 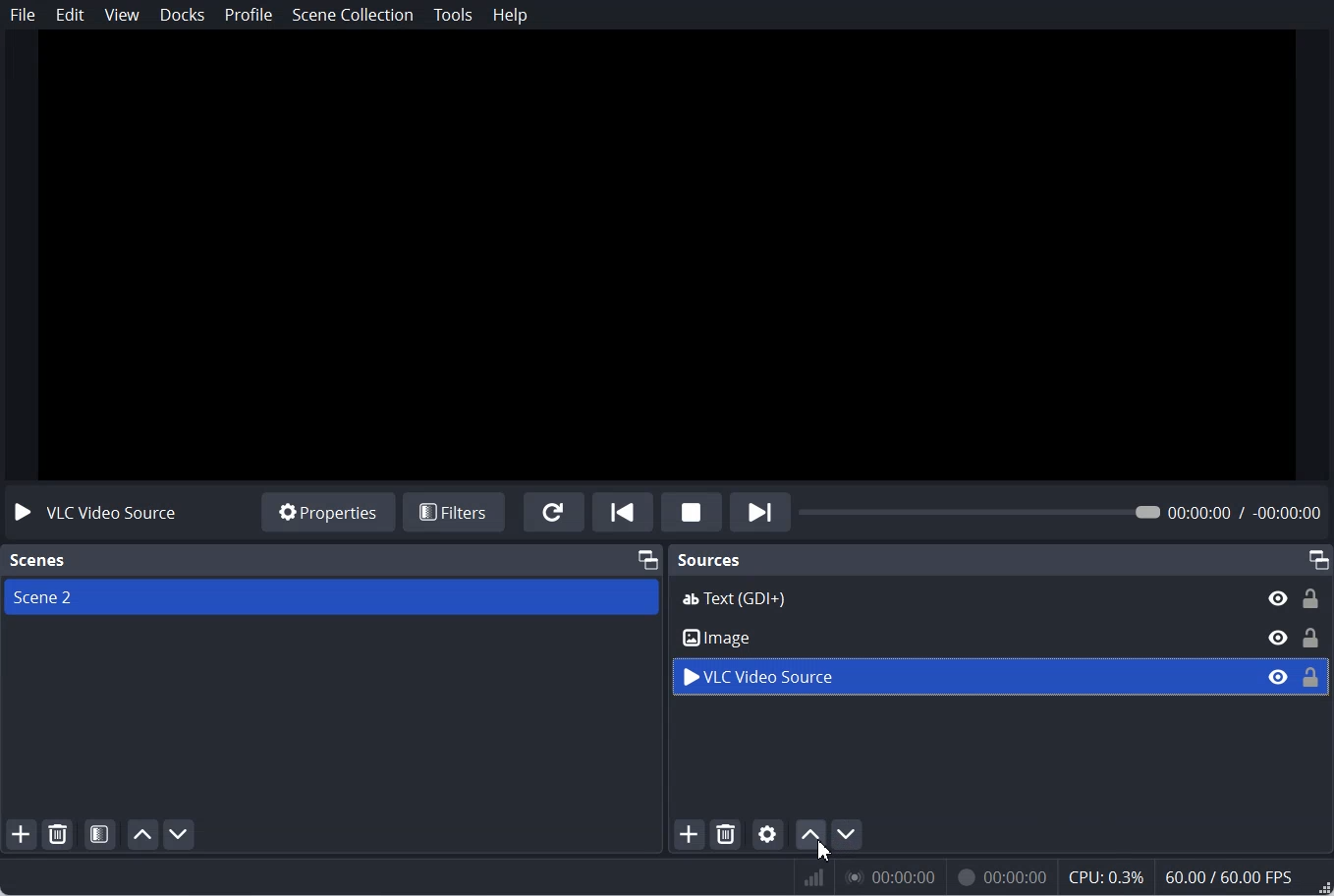 What do you see at coordinates (726, 834) in the screenshot?
I see `Remove selected Source` at bounding box center [726, 834].